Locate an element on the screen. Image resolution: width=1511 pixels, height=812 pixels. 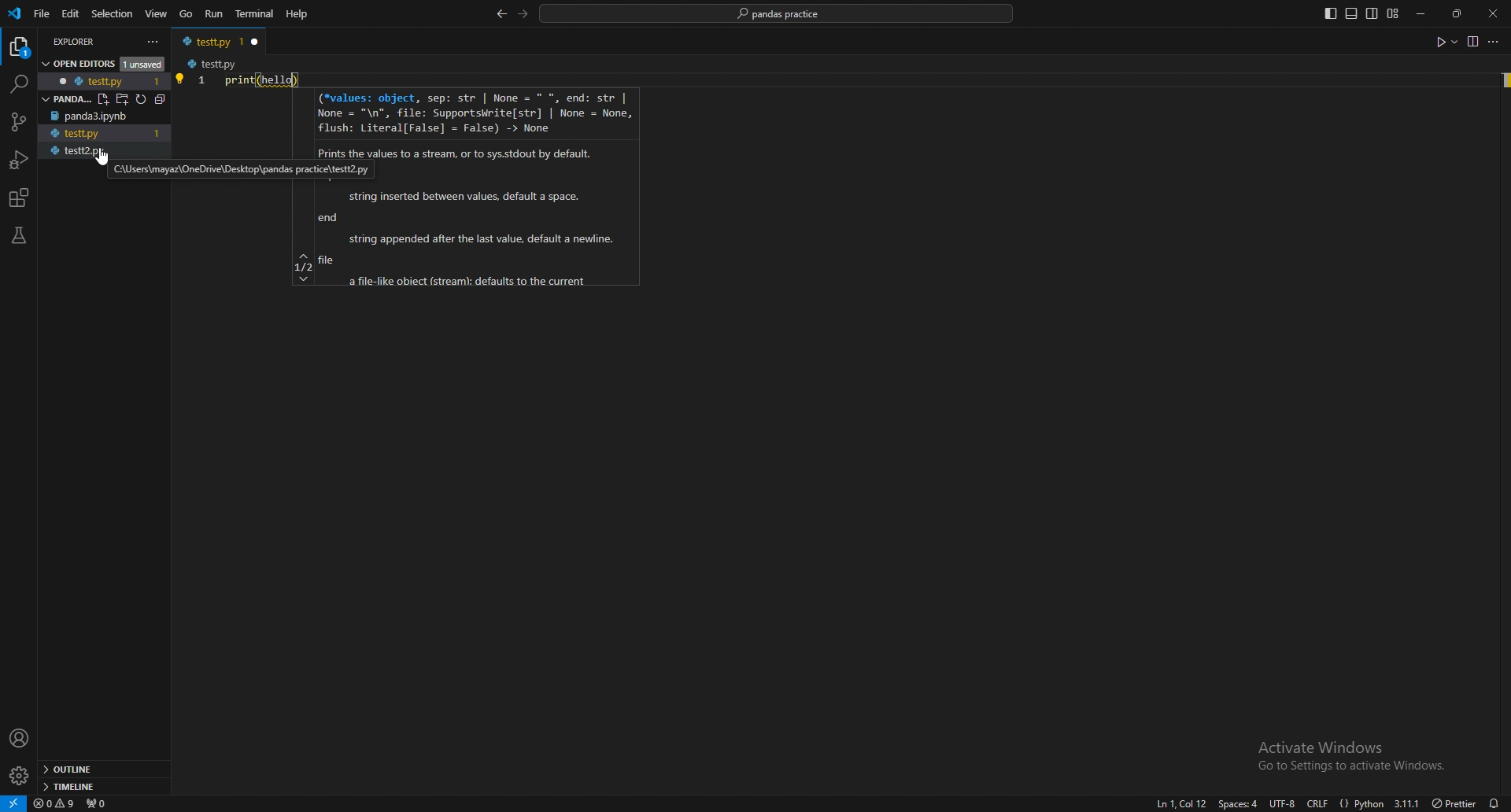
customize layout is located at coordinates (1392, 14).